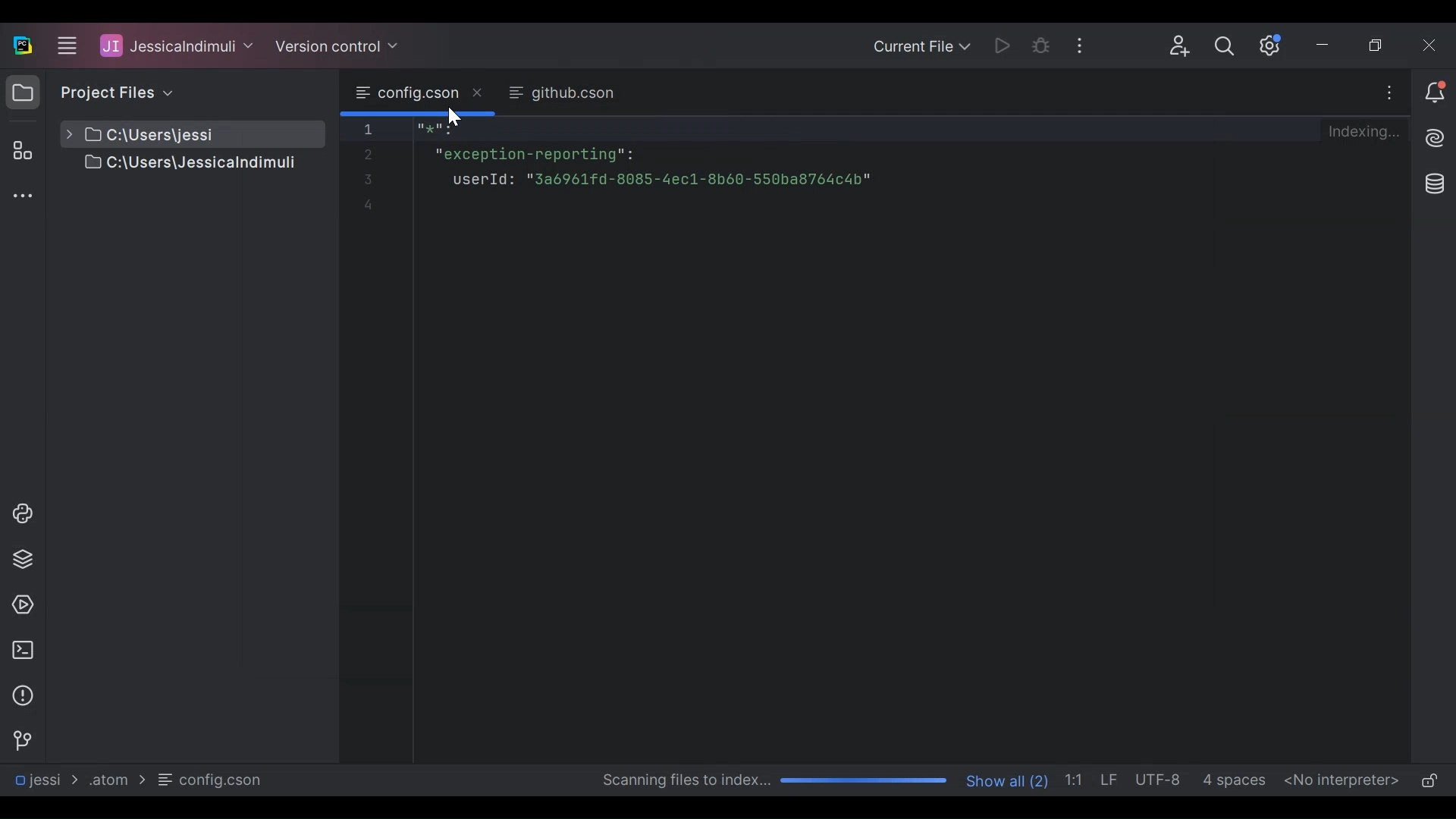  Describe the element at coordinates (174, 165) in the screenshot. I see `Project File` at that location.